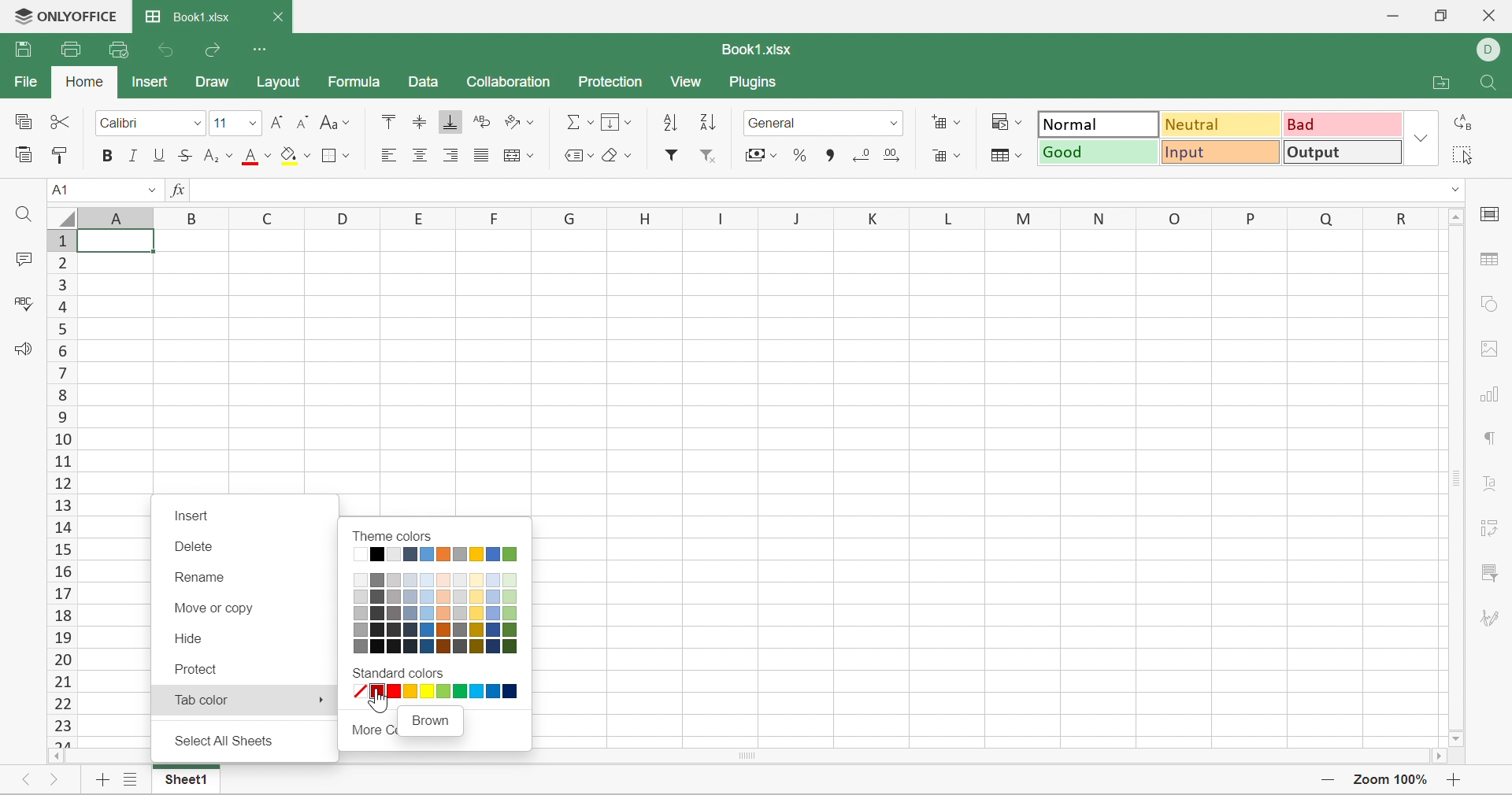 The width and height of the screenshot is (1512, 795). What do you see at coordinates (1488, 618) in the screenshot?
I see `Signature` at bounding box center [1488, 618].